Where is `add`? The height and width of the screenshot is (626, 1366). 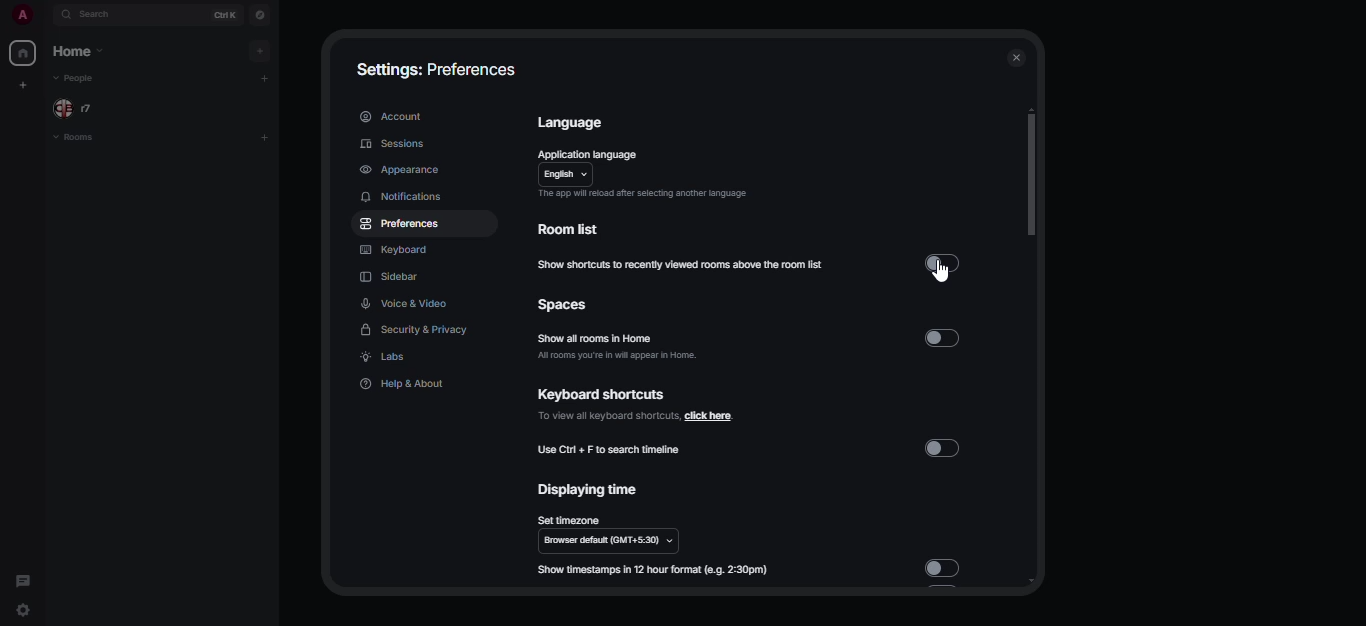 add is located at coordinates (266, 135).